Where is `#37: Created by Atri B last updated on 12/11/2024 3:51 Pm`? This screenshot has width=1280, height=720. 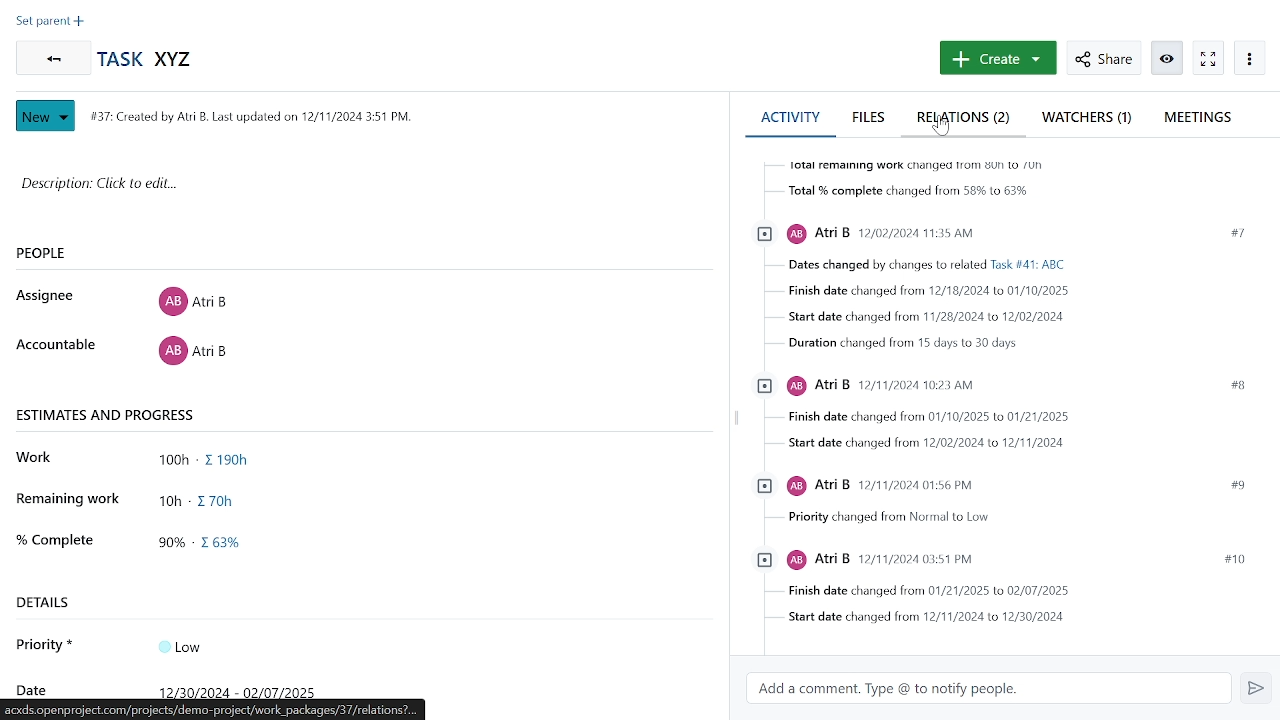 #37: Created by Atri B last updated on 12/11/2024 3:51 Pm is located at coordinates (249, 116).